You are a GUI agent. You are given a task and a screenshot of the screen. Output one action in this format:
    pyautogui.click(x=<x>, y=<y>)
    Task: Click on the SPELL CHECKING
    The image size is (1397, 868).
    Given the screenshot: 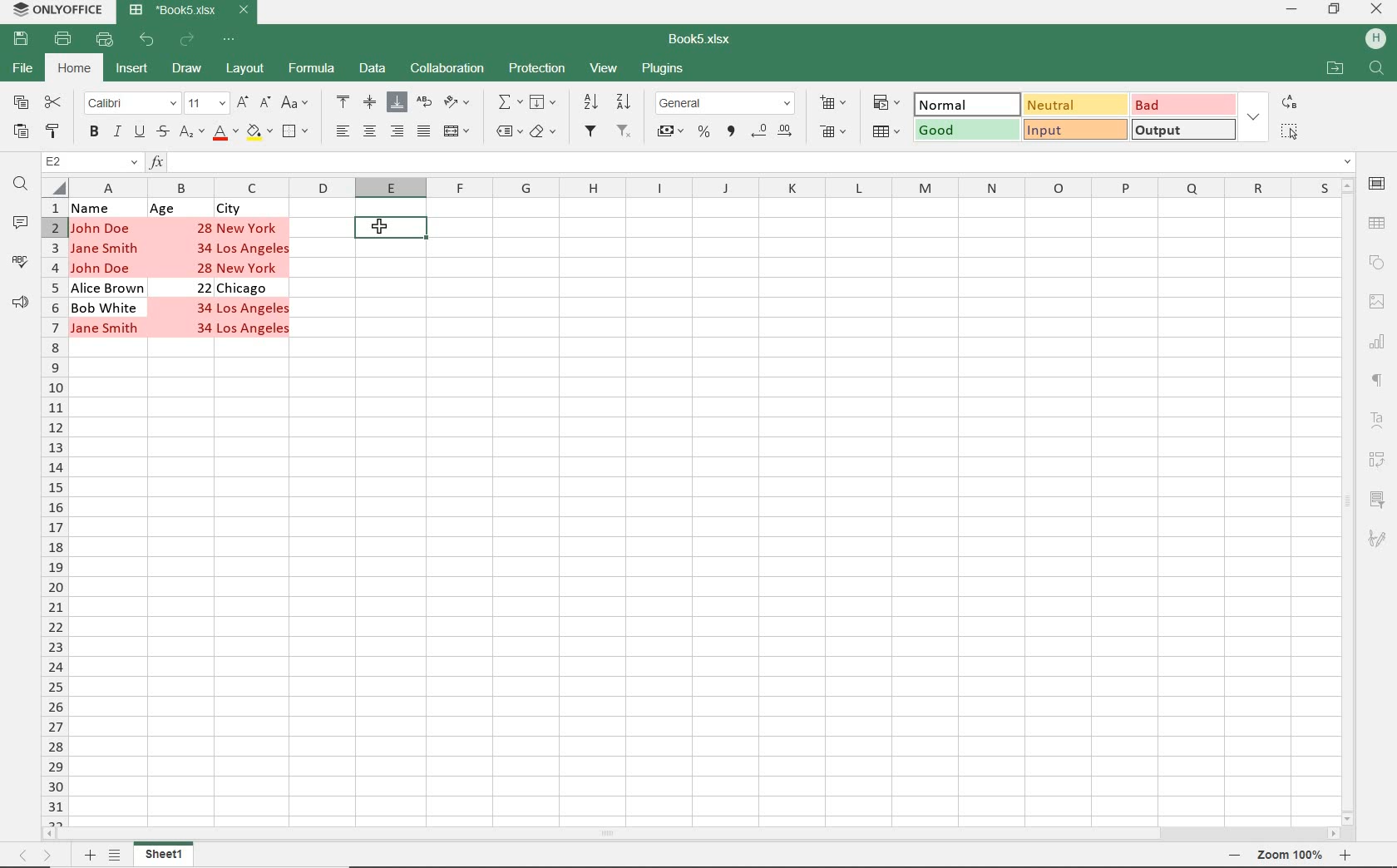 What is the action you would take?
    pyautogui.click(x=24, y=260)
    